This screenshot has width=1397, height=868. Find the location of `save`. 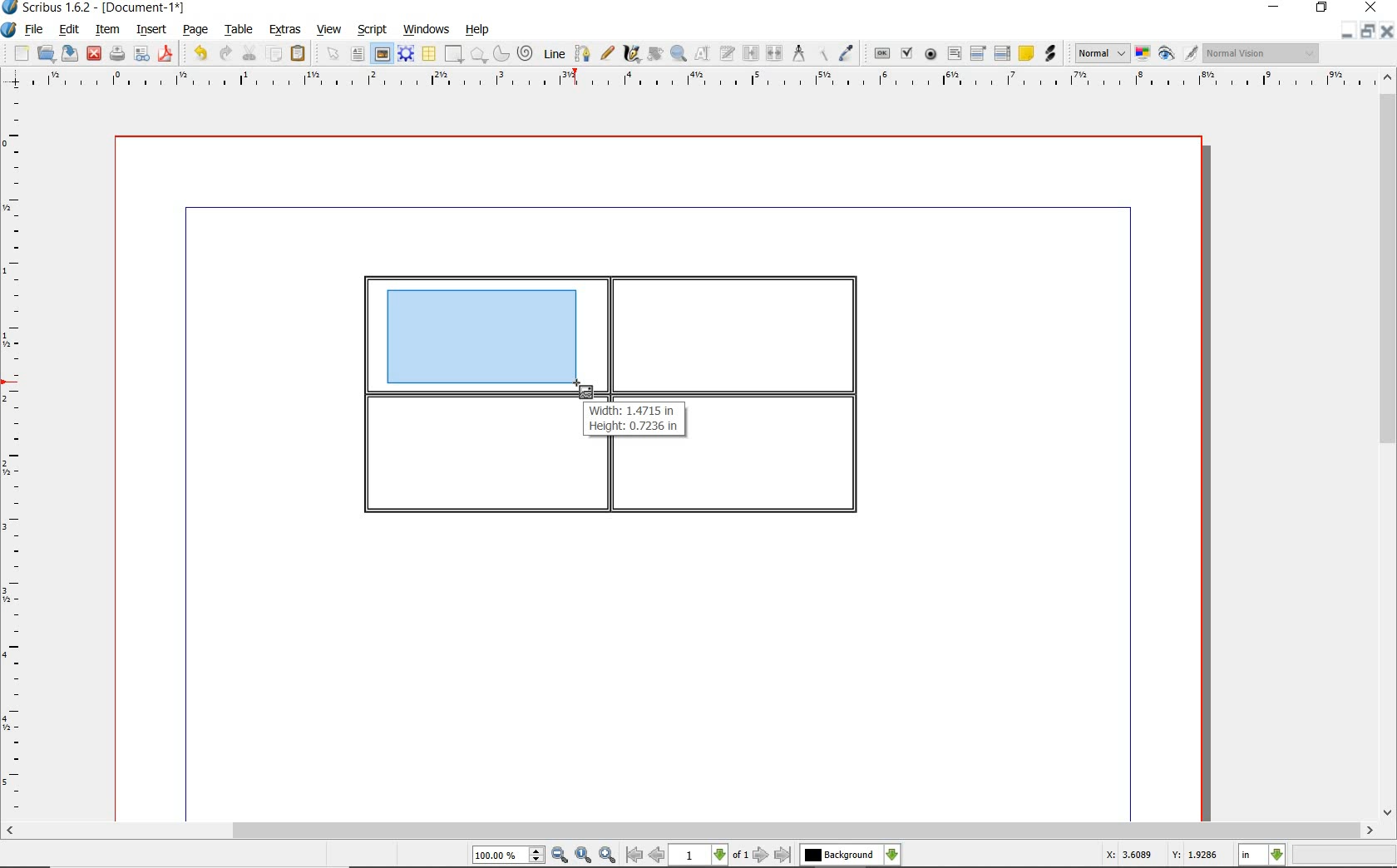

save is located at coordinates (71, 52).